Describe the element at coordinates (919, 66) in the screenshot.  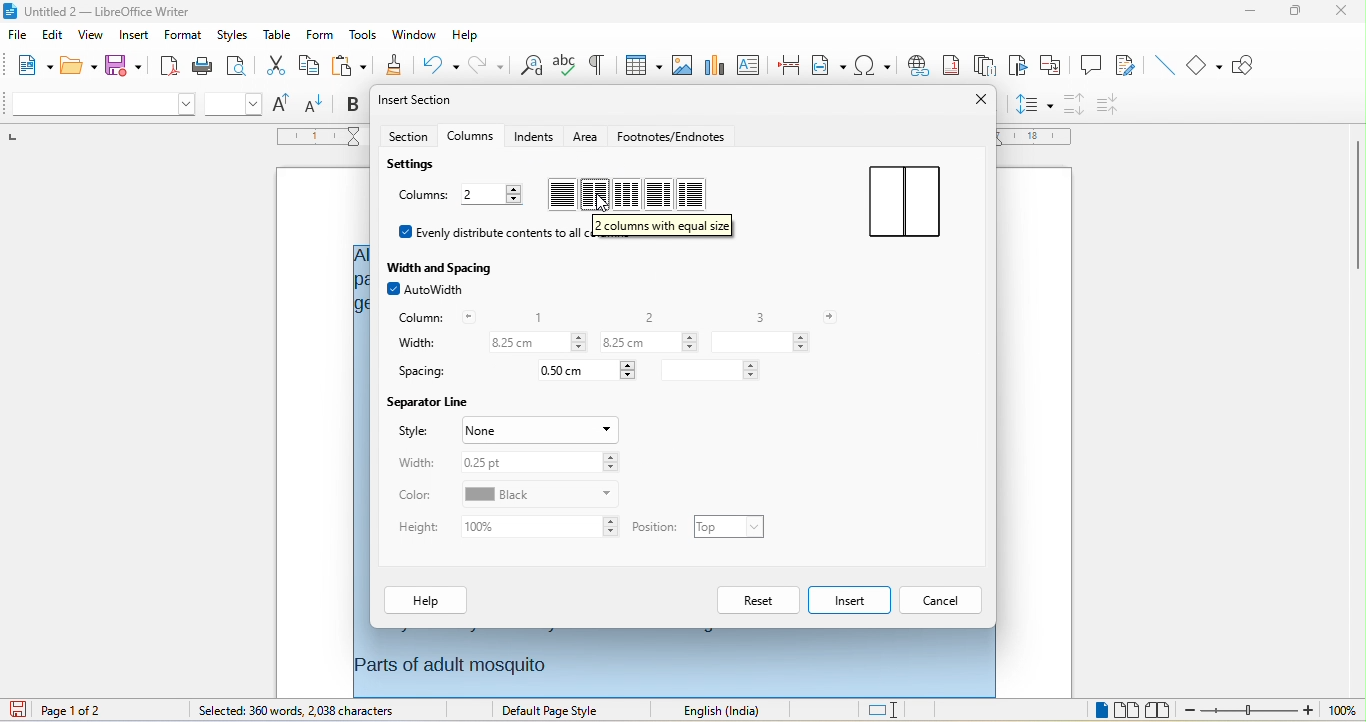
I see `hyperlink` at that location.